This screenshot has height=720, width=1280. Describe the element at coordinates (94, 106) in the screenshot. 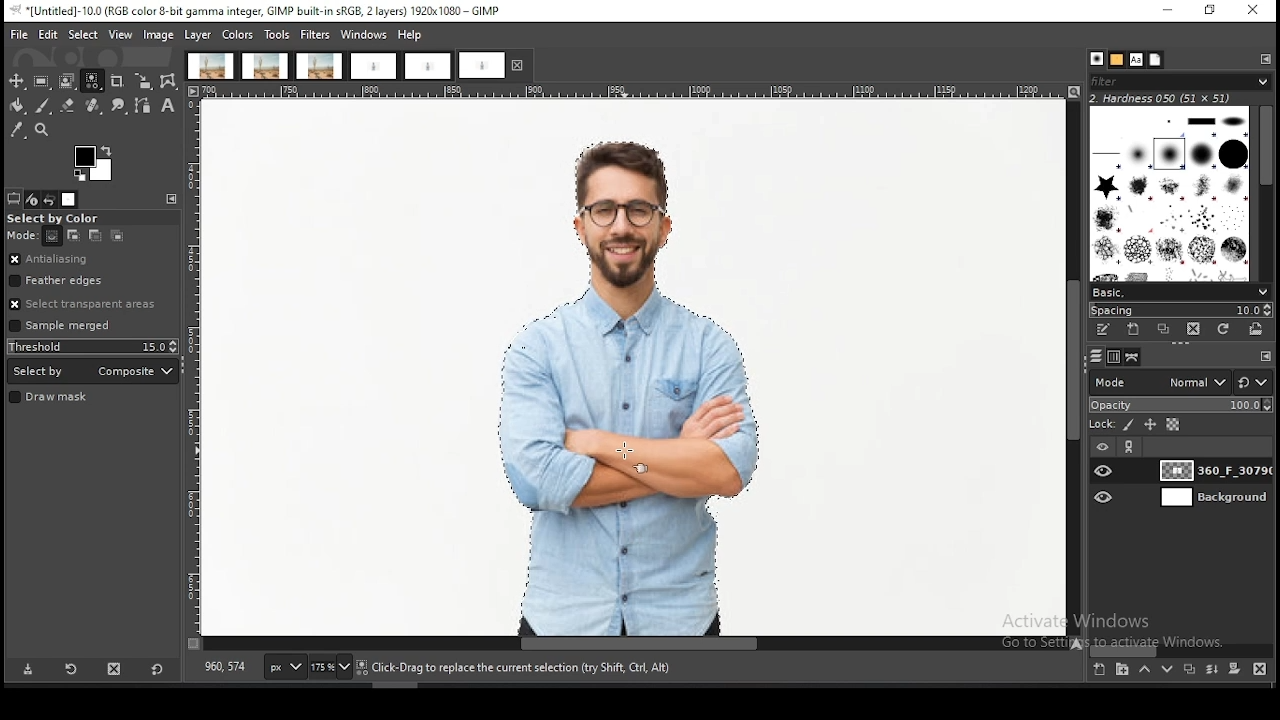

I see `healing tool` at that location.